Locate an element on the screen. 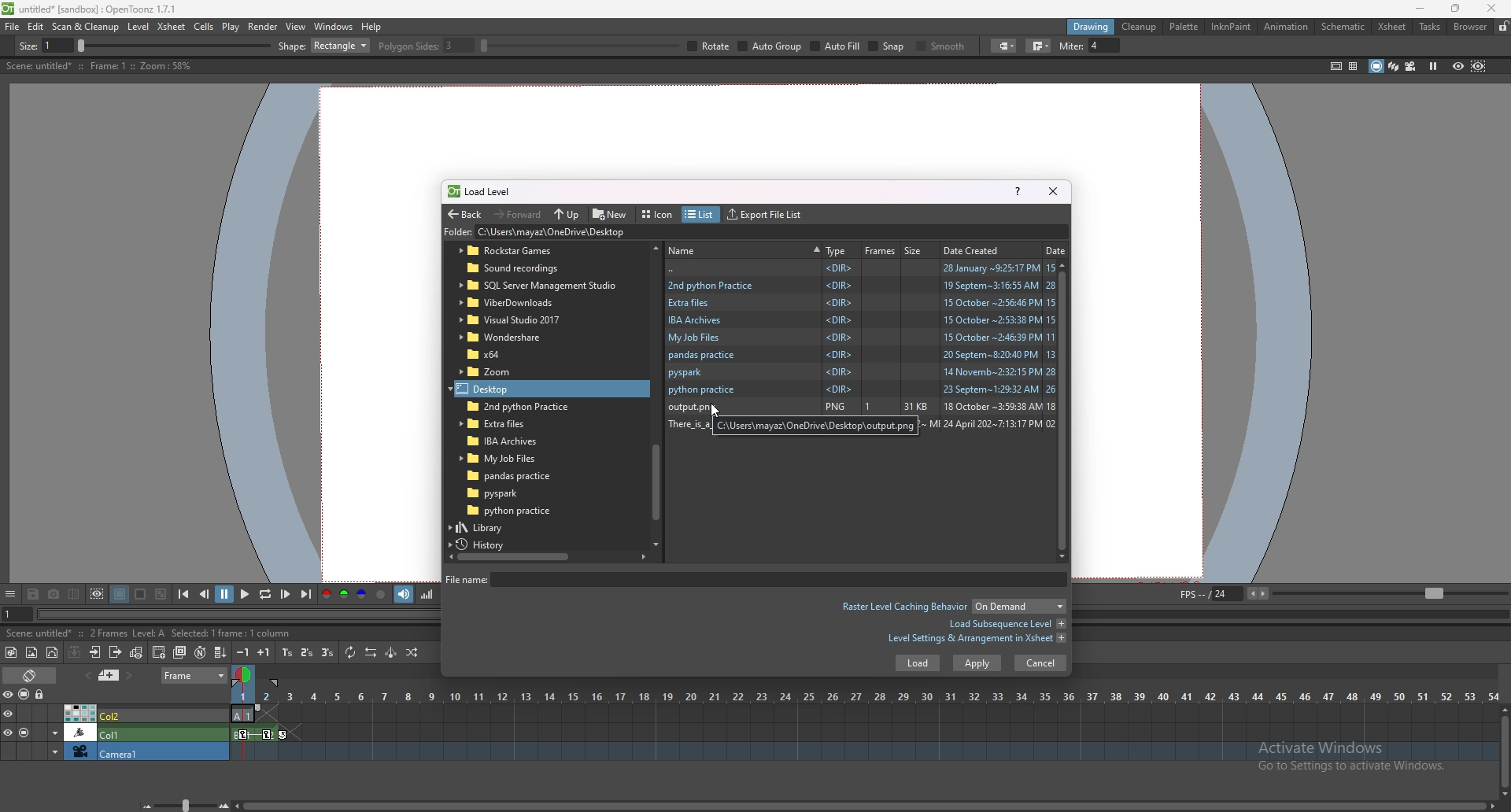 Image resolution: width=1511 pixels, height=812 pixels. render is located at coordinates (264, 27).